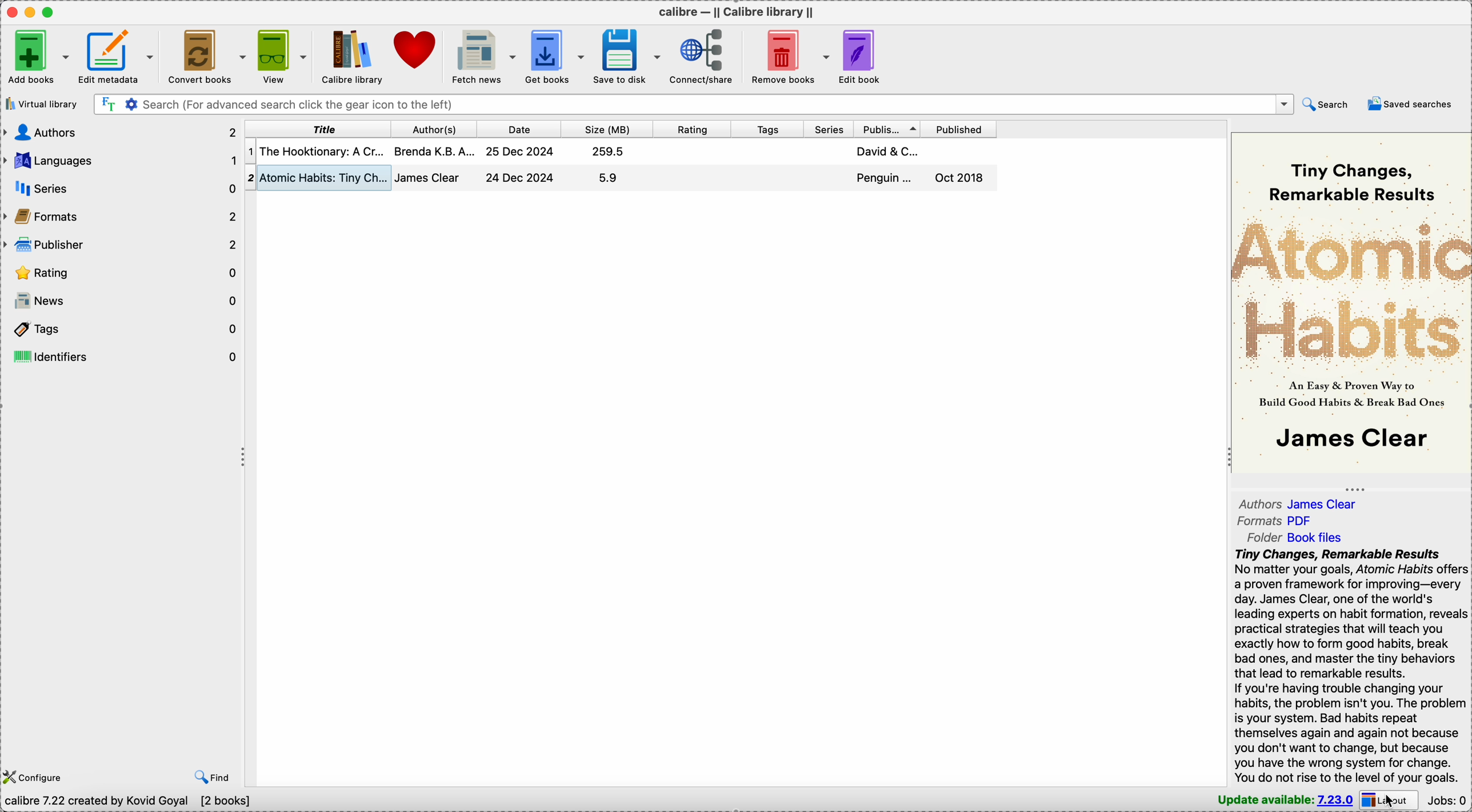 This screenshot has width=1472, height=812. Describe the element at coordinates (1286, 104) in the screenshot. I see `drop down` at that location.